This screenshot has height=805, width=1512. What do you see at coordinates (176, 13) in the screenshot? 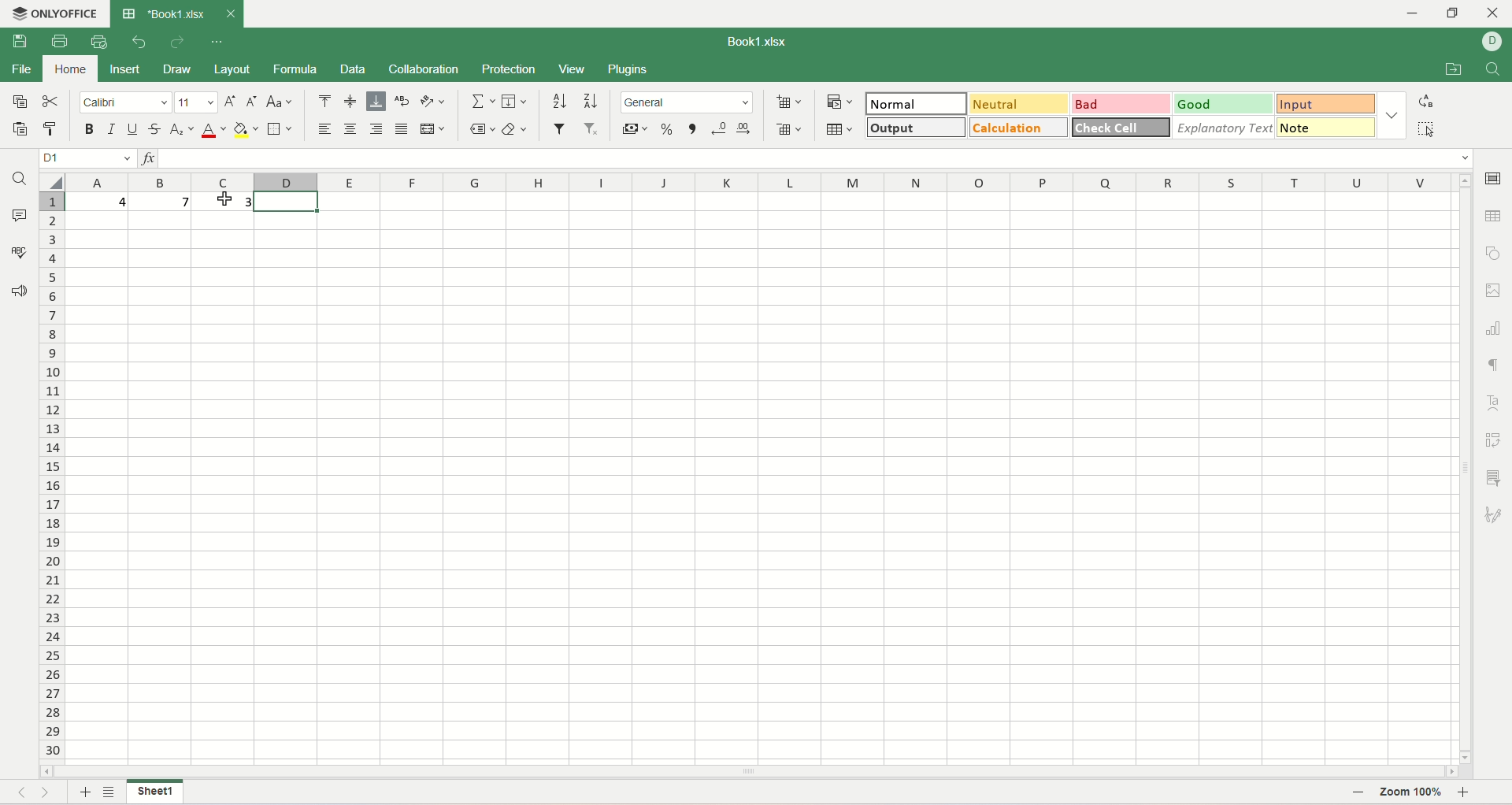
I see `Book1.docx` at bounding box center [176, 13].